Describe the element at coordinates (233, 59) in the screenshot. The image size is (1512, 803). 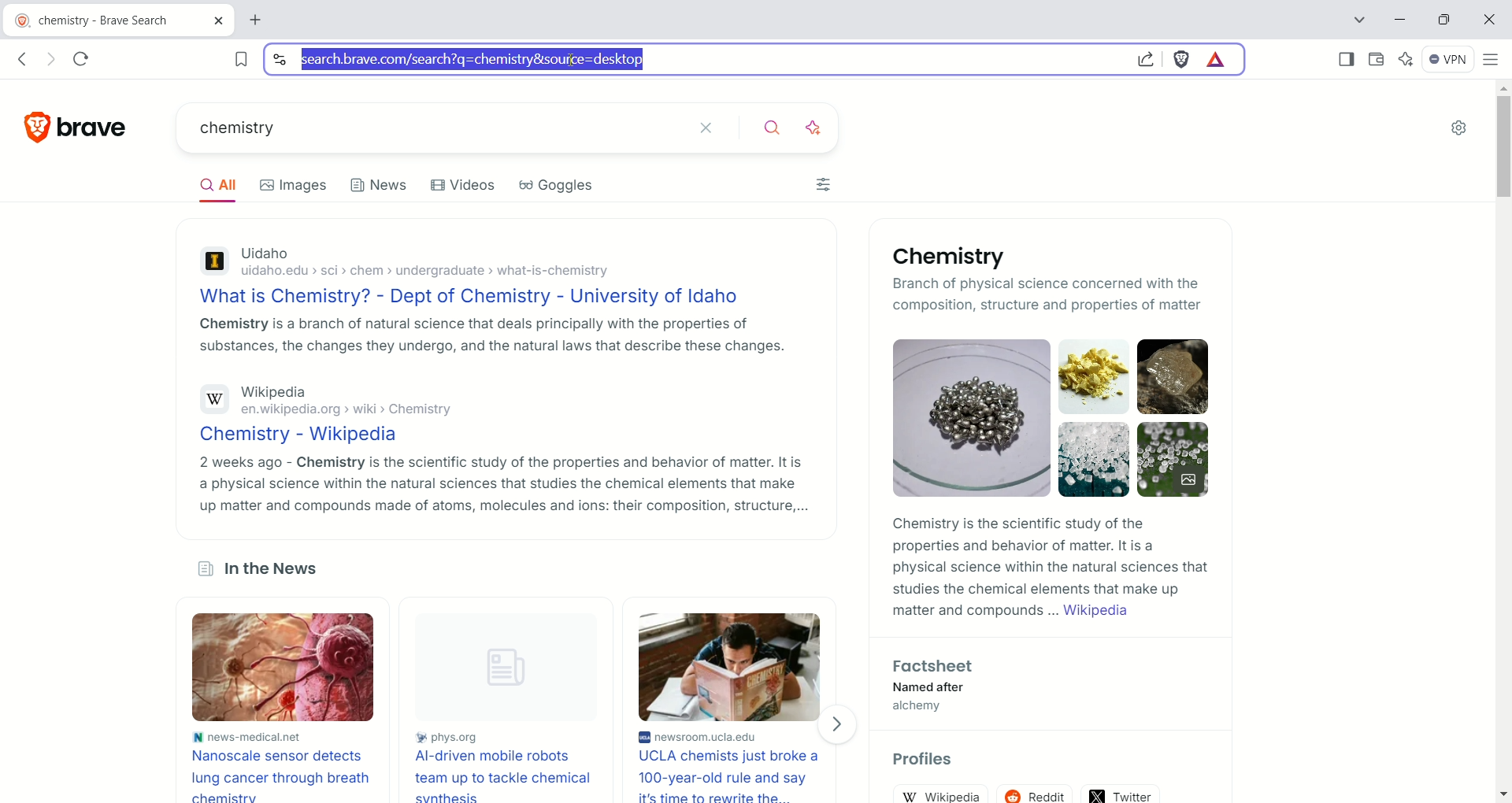
I see `bookmark` at that location.